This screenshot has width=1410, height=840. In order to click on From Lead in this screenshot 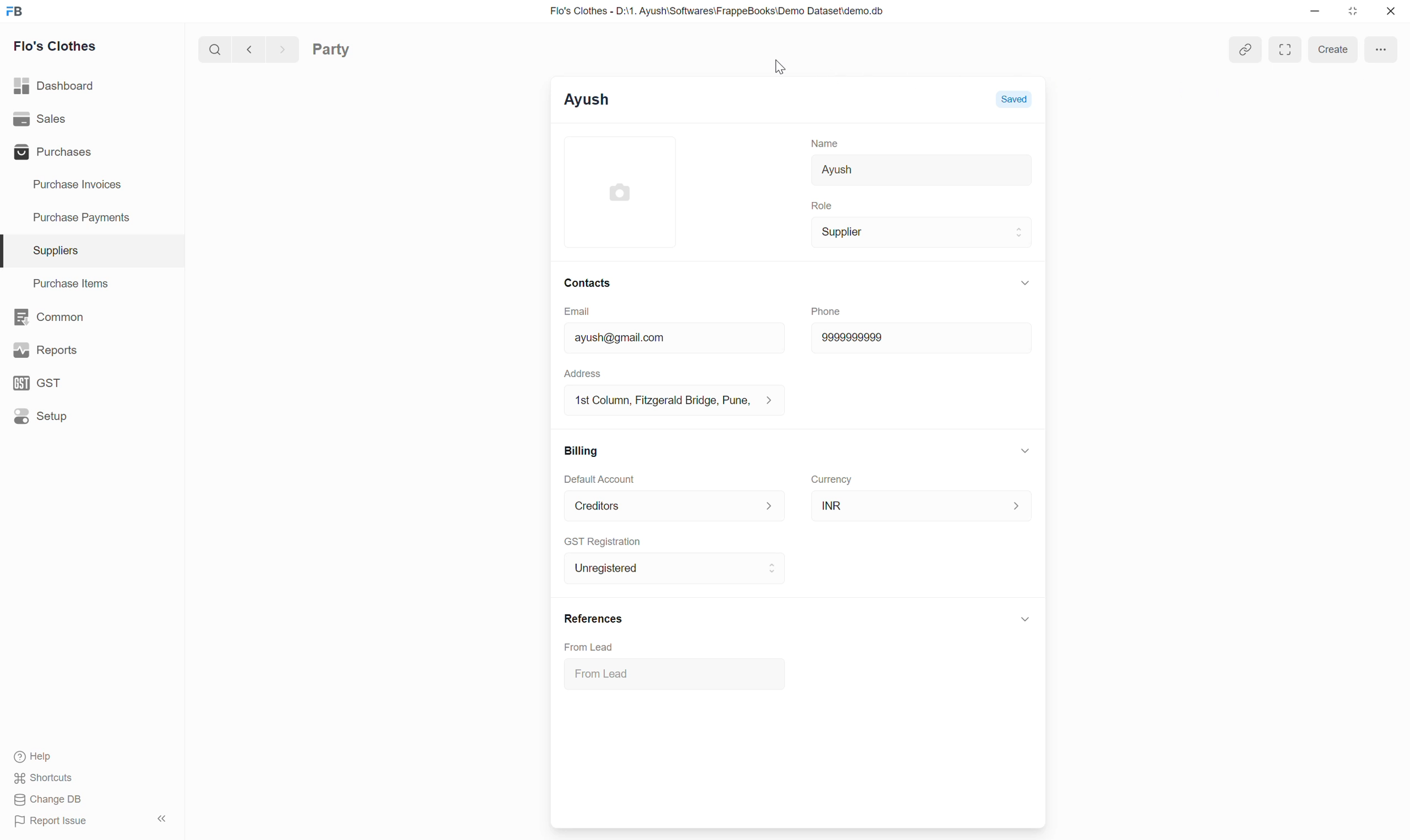, I will do `click(676, 674)`.